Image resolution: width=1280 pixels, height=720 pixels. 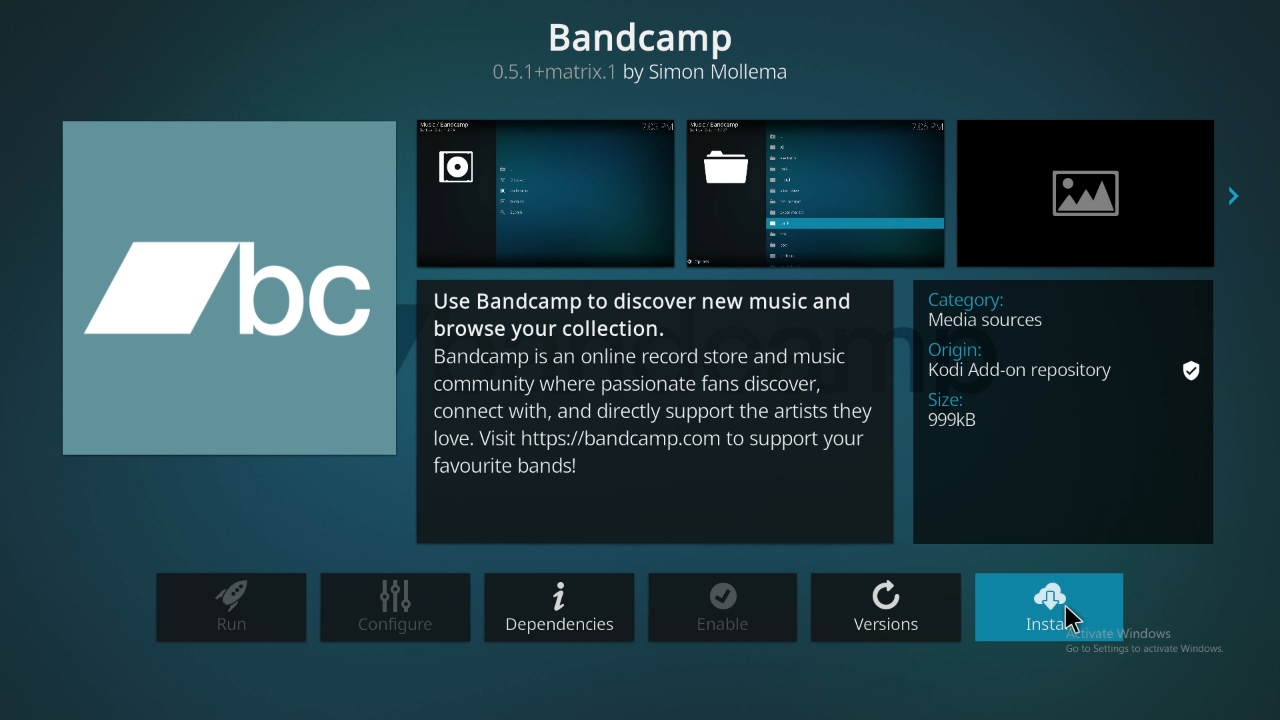 What do you see at coordinates (817, 192) in the screenshot?
I see `preview` at bounding box center [817, 192].